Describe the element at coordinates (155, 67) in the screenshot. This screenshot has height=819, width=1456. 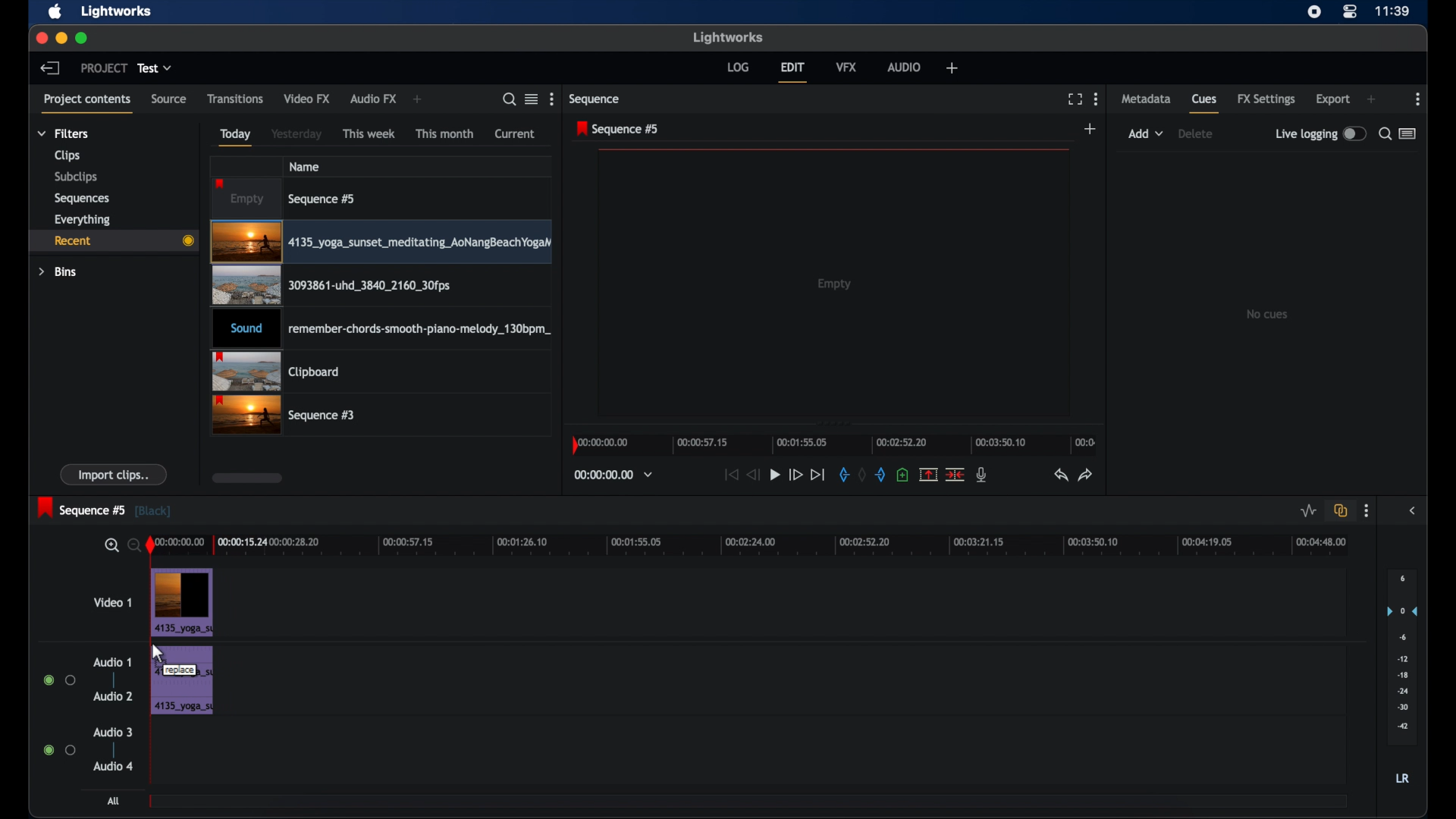
I see `test` at that location.